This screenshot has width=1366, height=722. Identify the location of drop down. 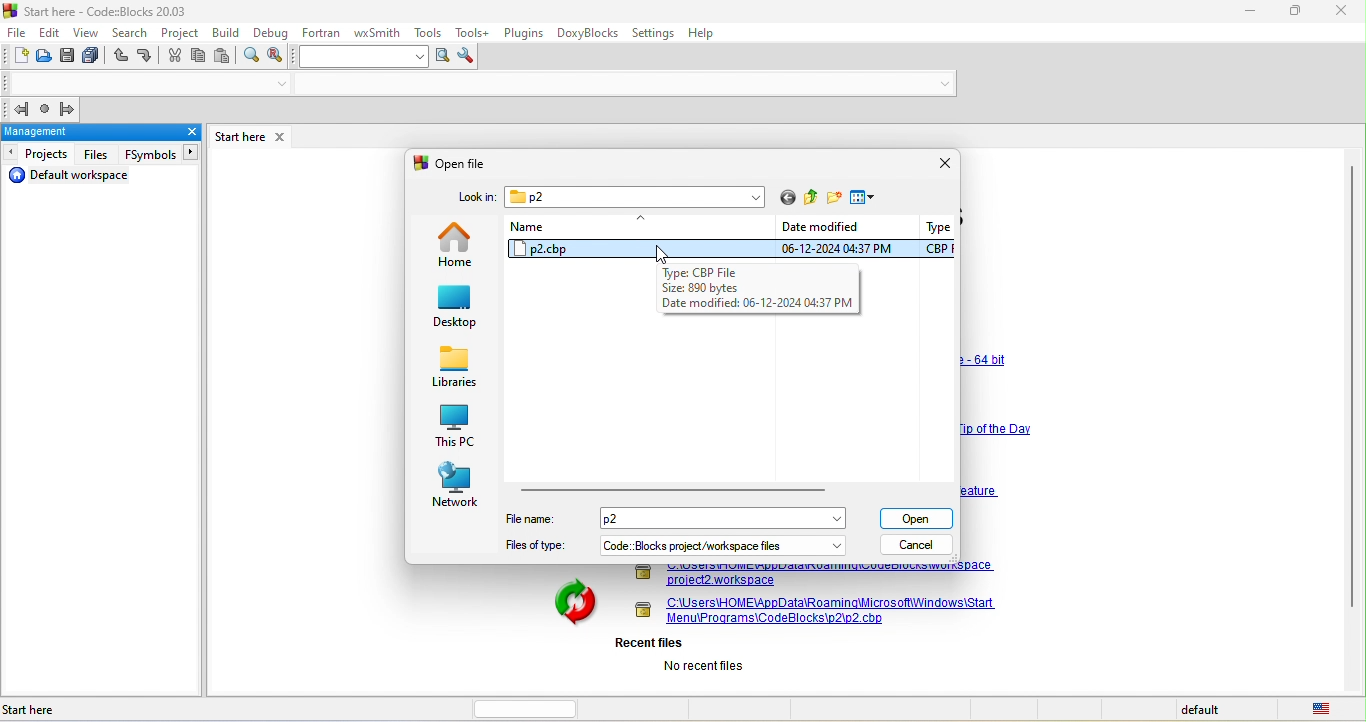
(277, 84).